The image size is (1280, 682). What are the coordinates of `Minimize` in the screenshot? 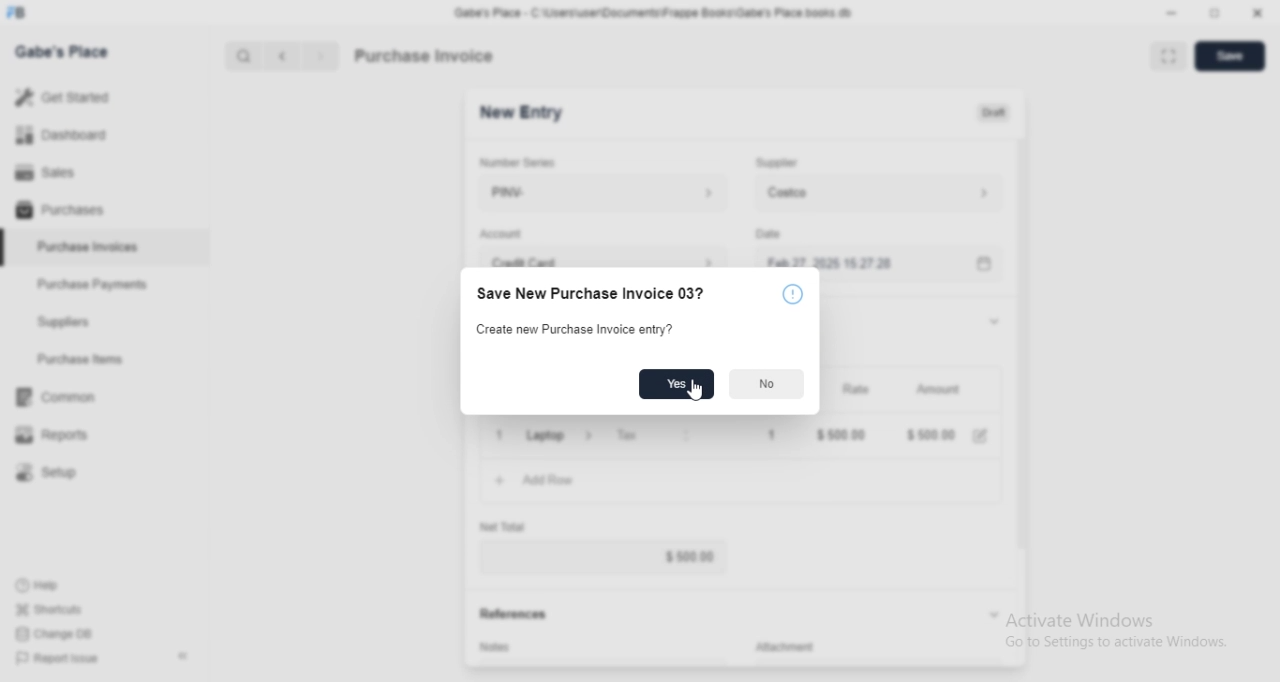 It's located at (1171, 13).